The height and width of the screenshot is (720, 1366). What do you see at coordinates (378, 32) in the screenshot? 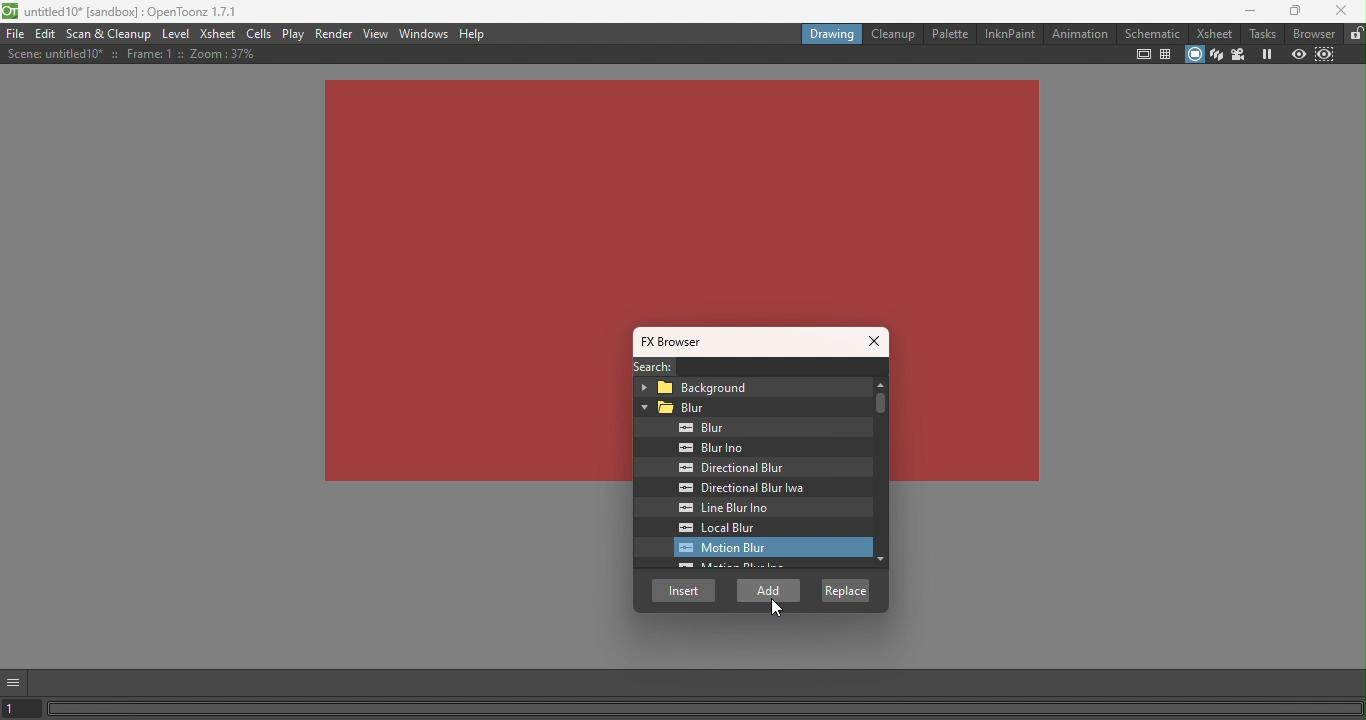
I see `View` at bounding box center [378, 32].